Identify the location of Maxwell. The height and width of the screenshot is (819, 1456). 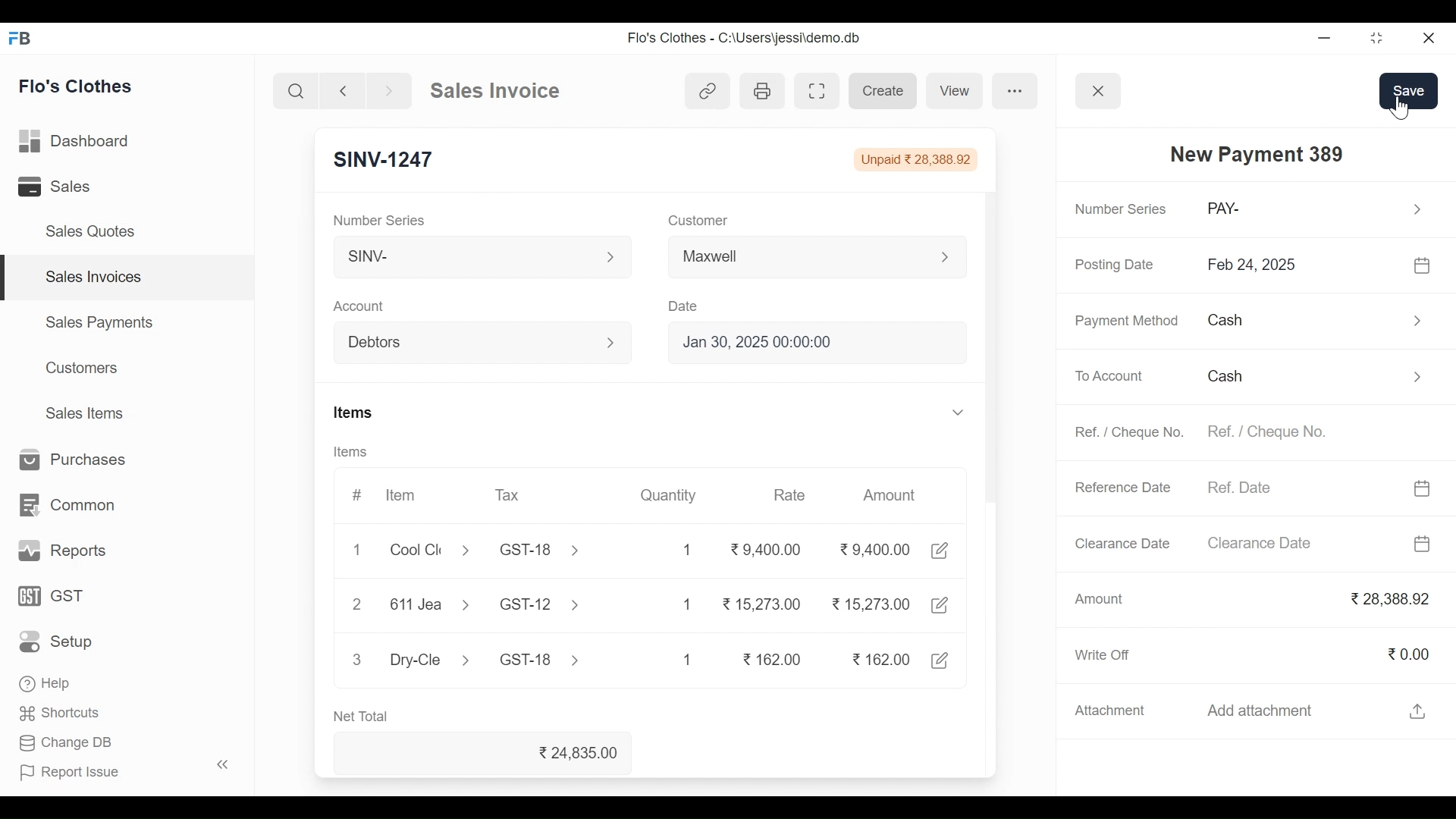
(792, 253).